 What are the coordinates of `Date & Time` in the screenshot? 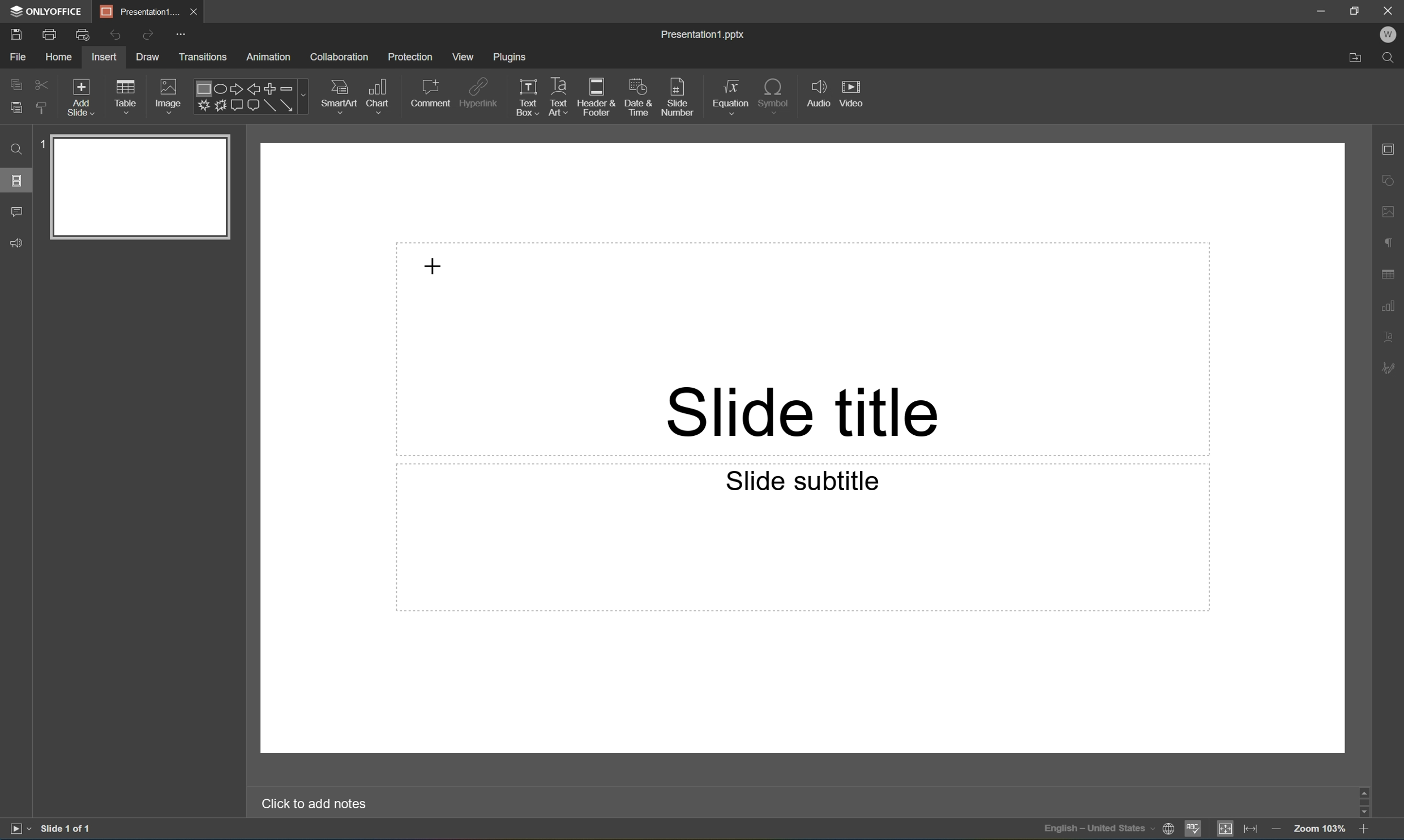 It's located at (637, 96).